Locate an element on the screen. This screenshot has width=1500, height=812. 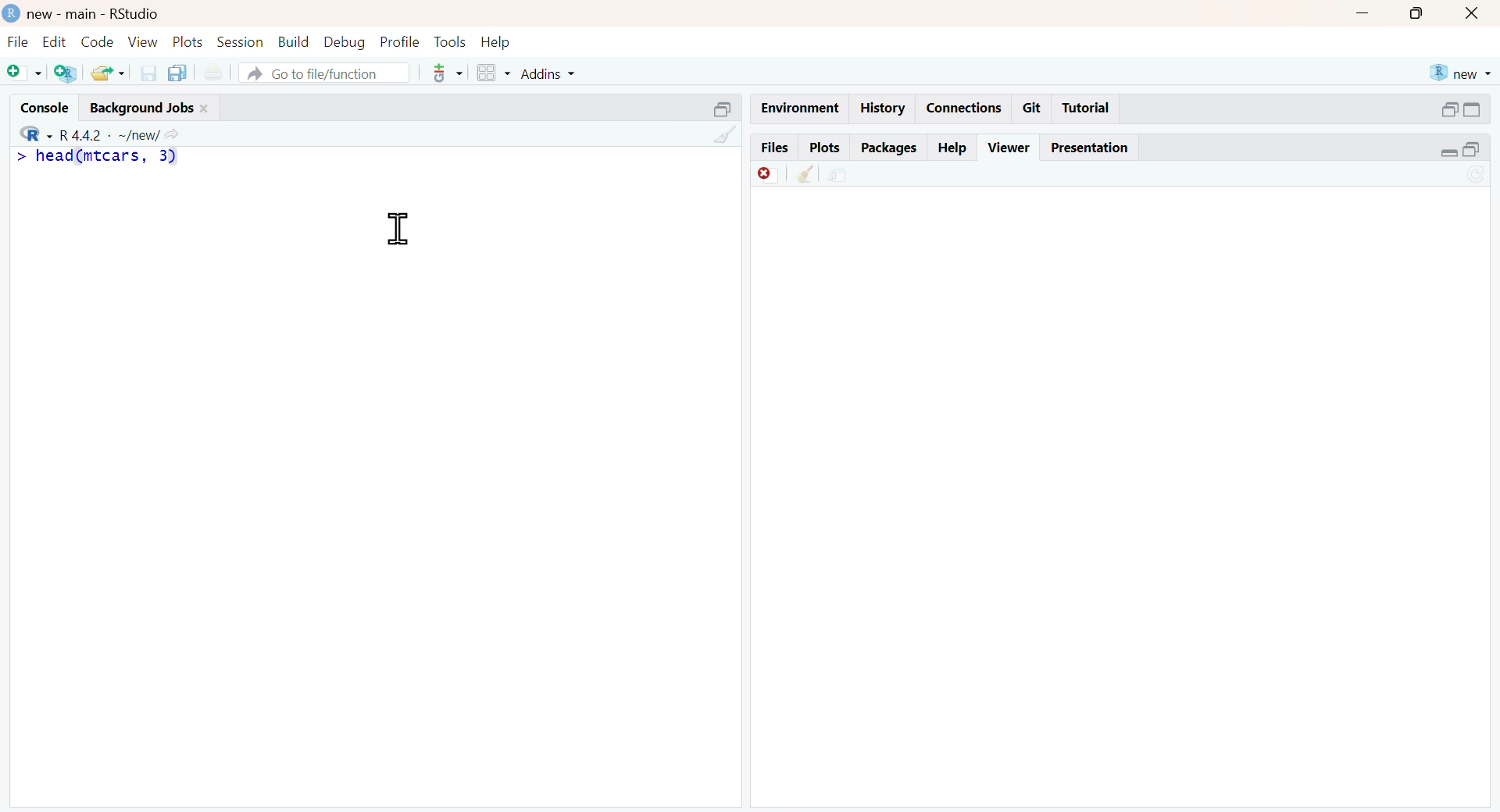
Profile is located at coordinates (397, 40).